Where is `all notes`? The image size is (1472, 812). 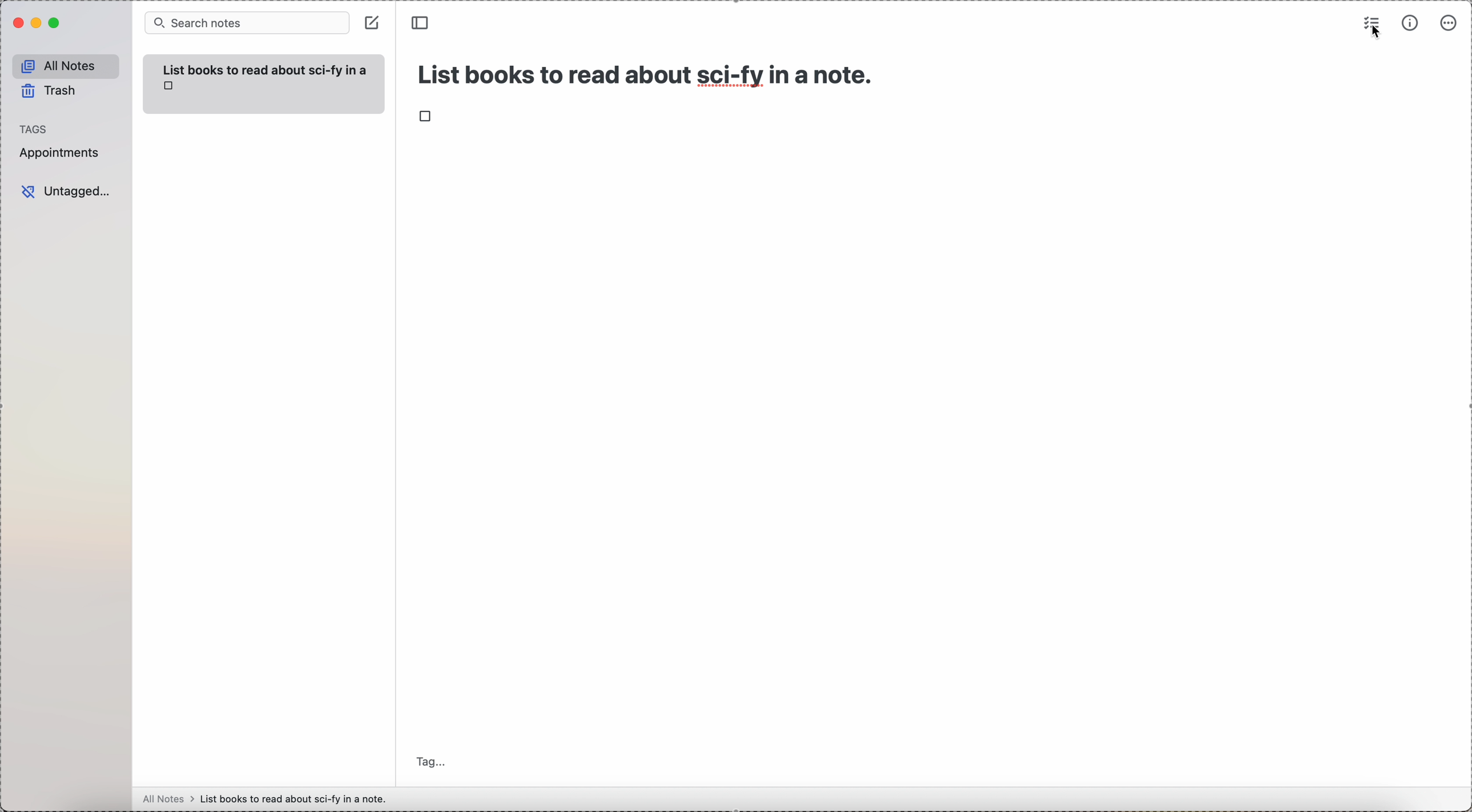 all notes is located at coordinates (63, 64).